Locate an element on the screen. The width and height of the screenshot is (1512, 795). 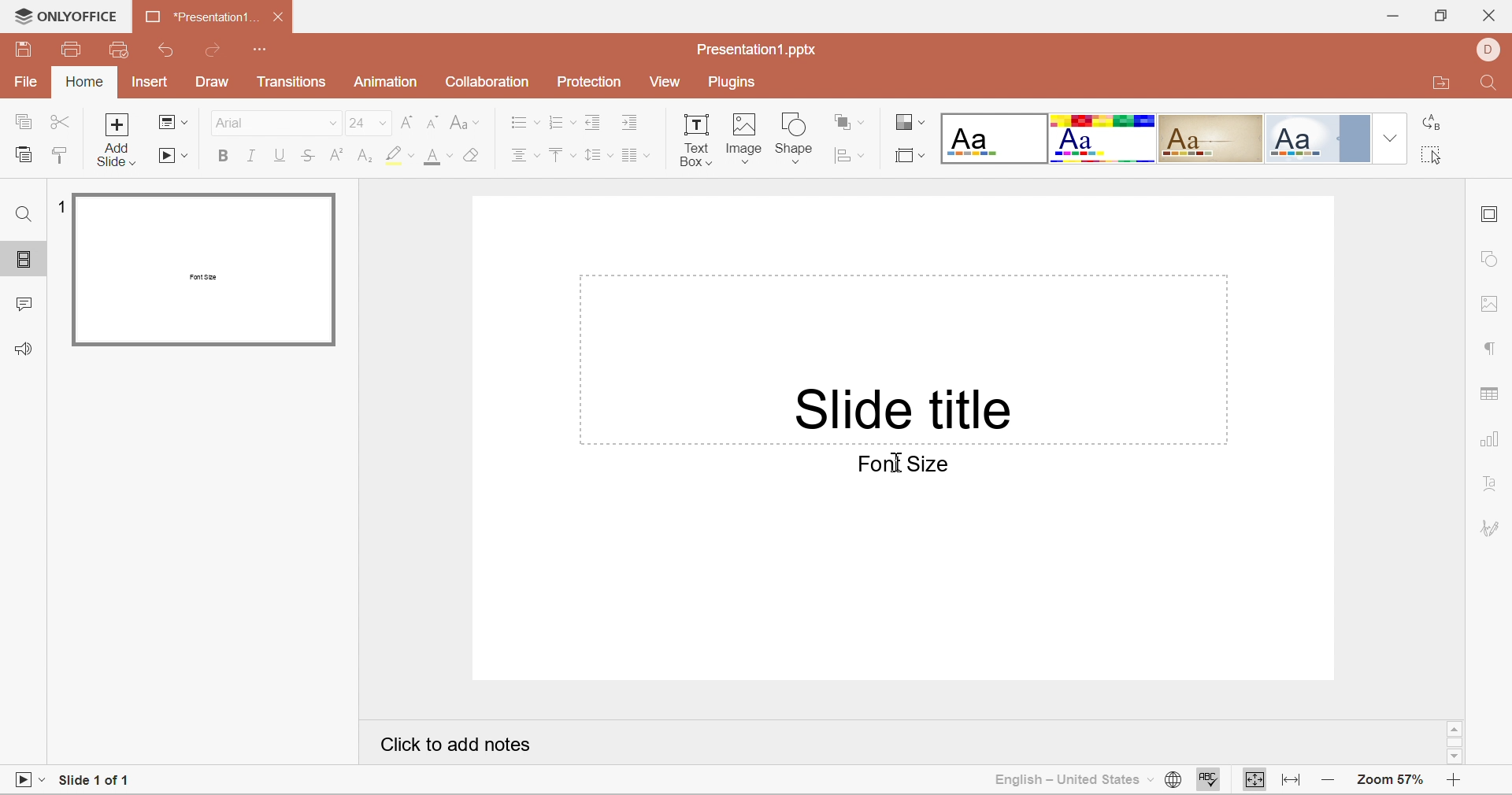
shape settings is located at coordinates (1492, 257).